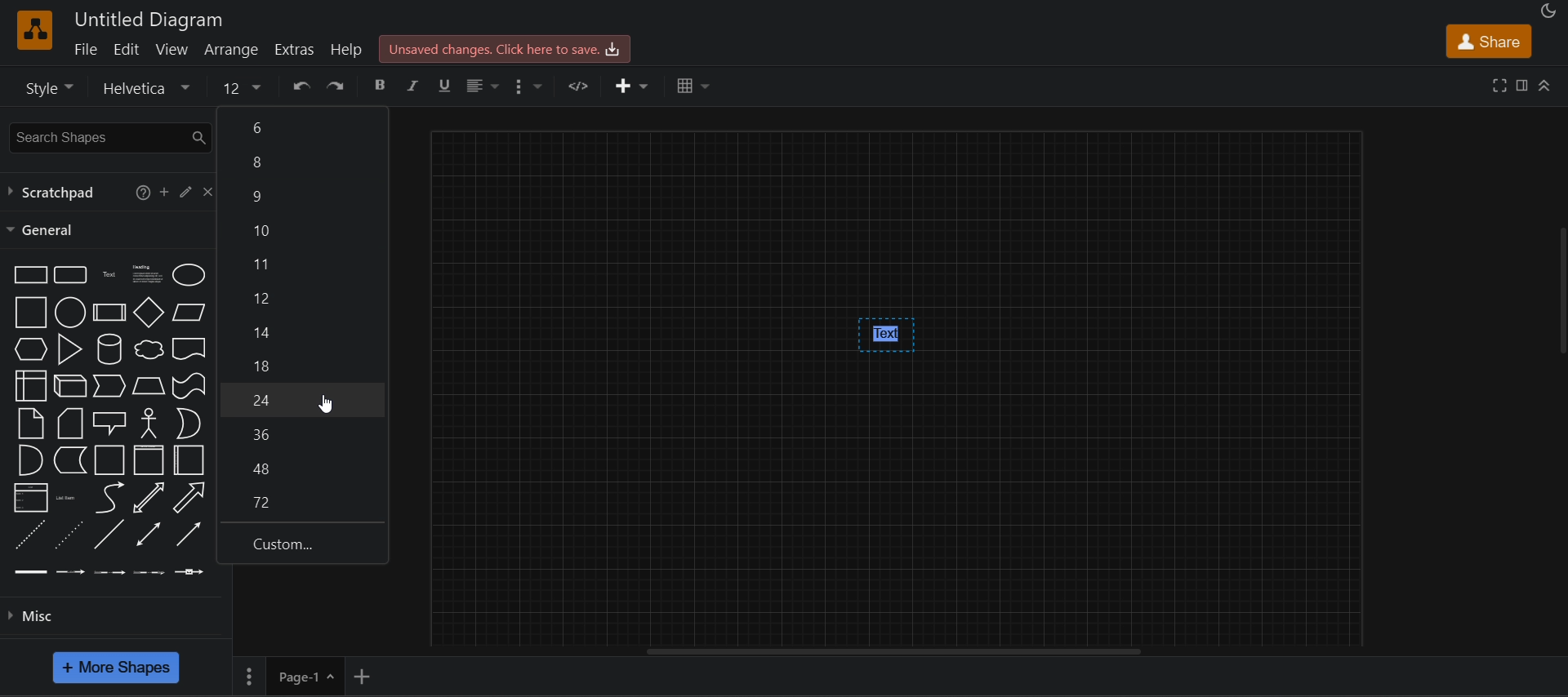 This screenshot has height=697, width=1568. What do you see at coordinates (109, 275) in the screenshot?
I see `Text` at bounding box center [109, 275].